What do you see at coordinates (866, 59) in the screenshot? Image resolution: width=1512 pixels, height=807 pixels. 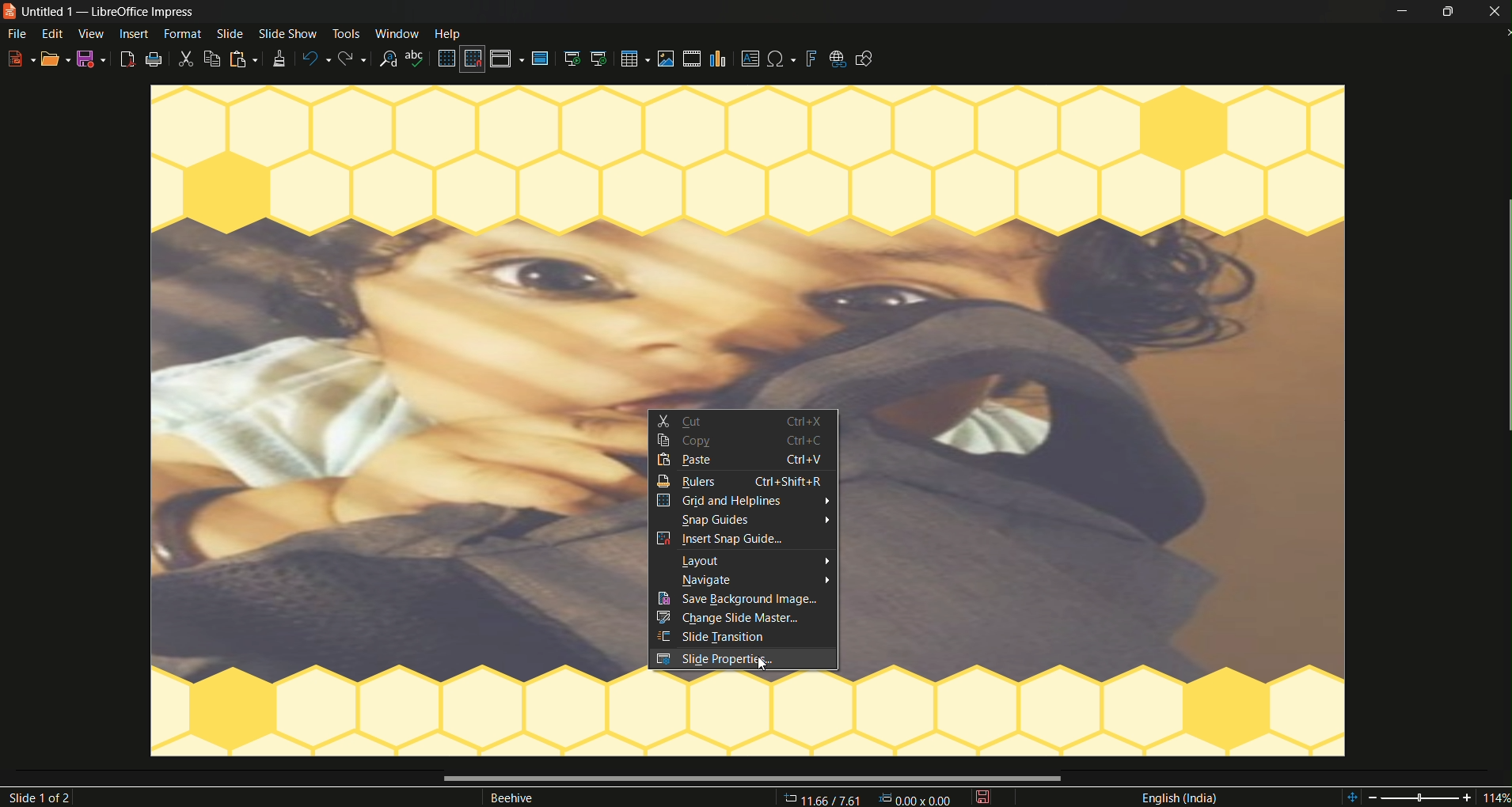 I see `show draw functions` at bounding box center [866, 59].